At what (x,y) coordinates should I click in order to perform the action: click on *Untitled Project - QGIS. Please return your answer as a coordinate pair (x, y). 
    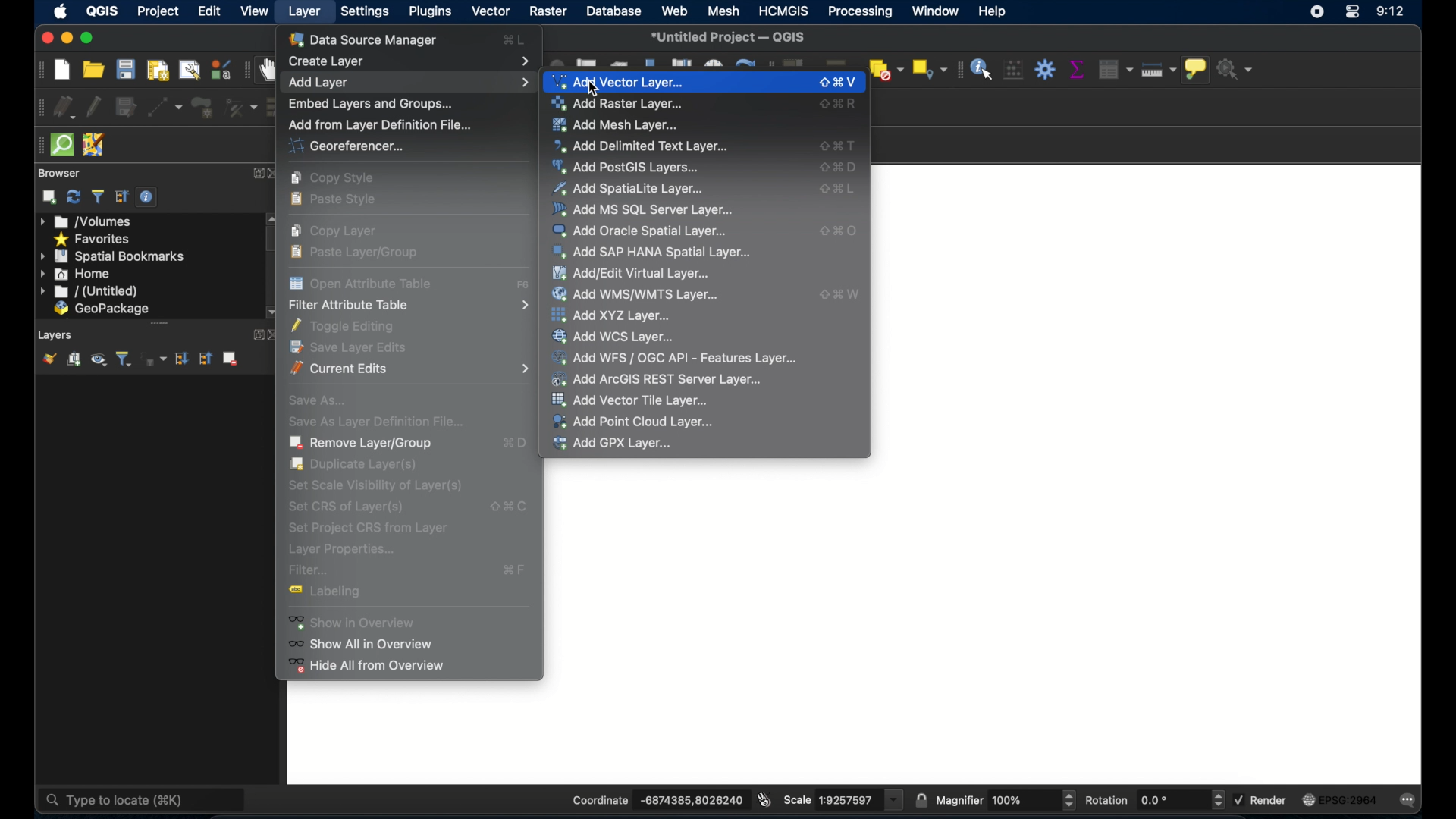
    Looking at the image, I should click on (730, 36).